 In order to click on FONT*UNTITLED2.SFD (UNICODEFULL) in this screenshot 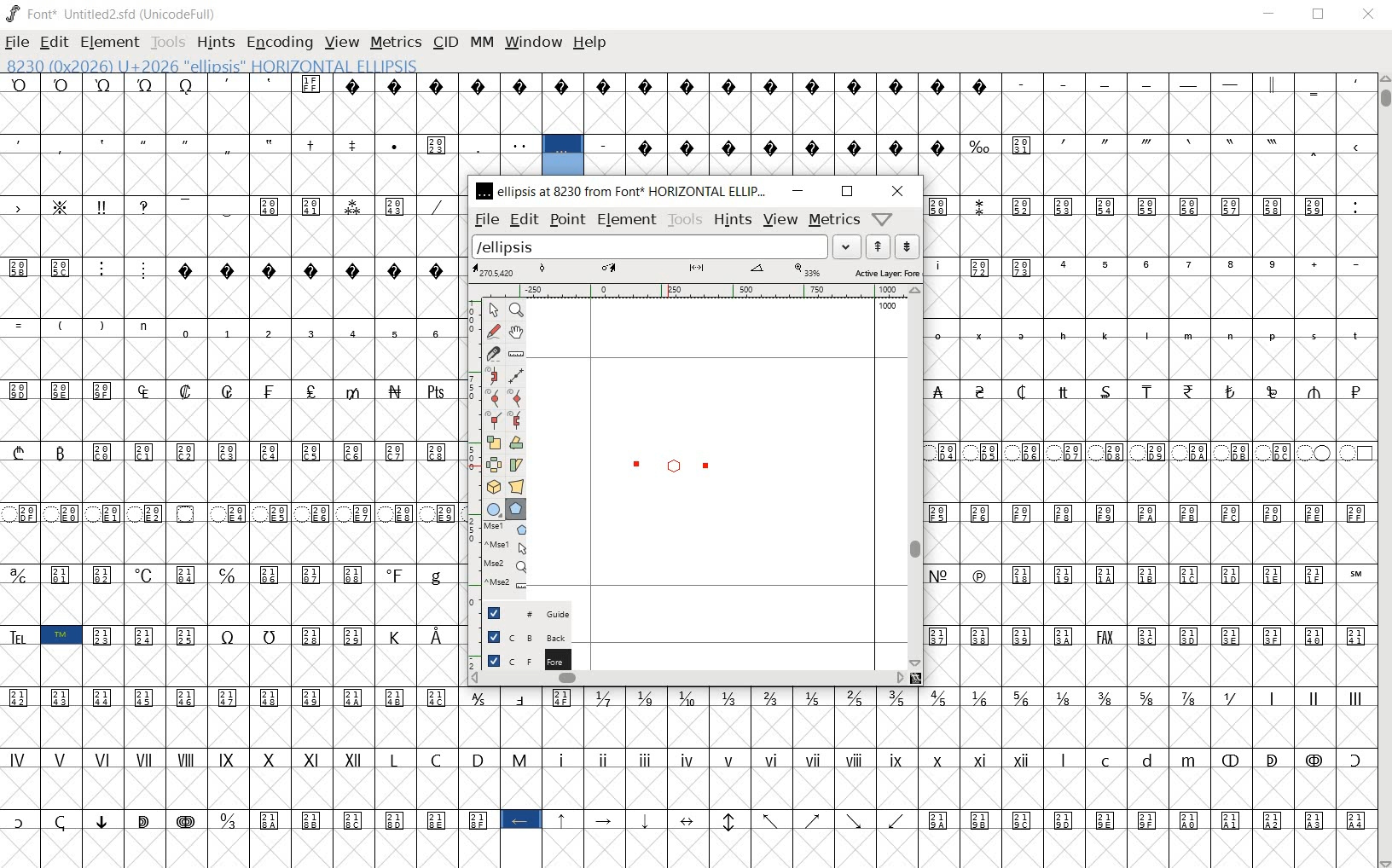, I will do `click(114, 12)`.